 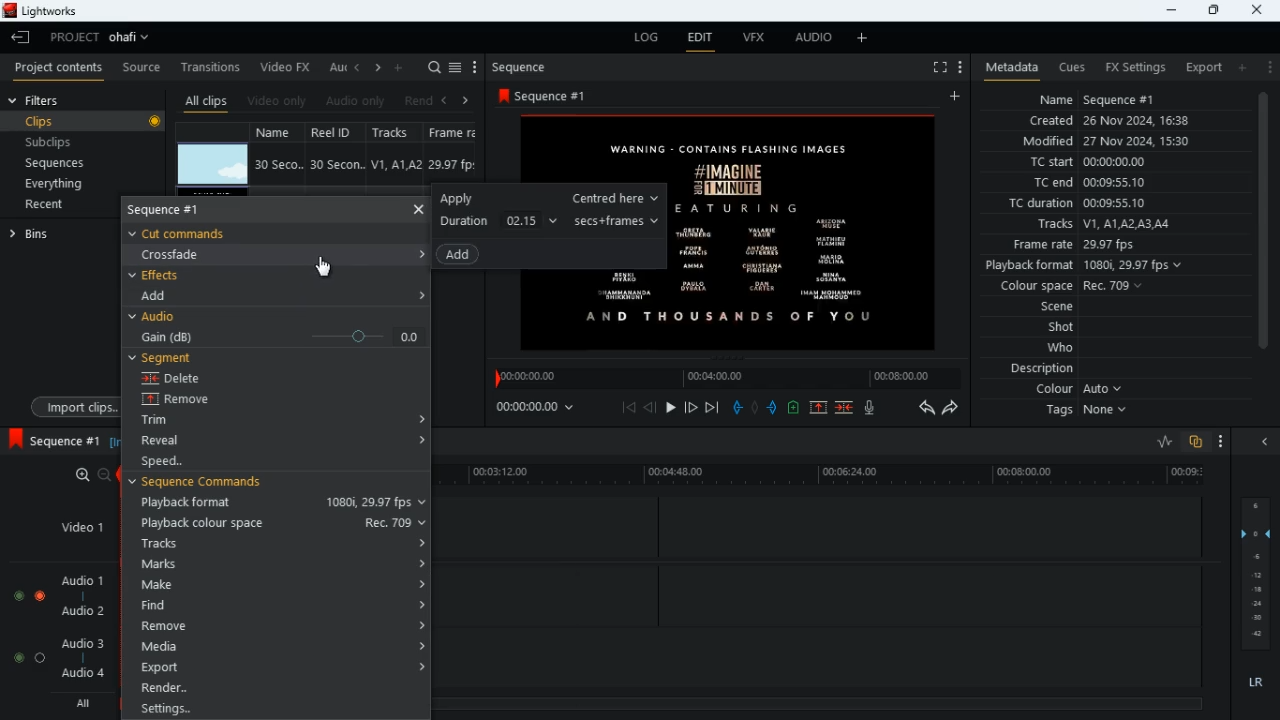 I want to click on lightworks, so click(x=47, y=12).